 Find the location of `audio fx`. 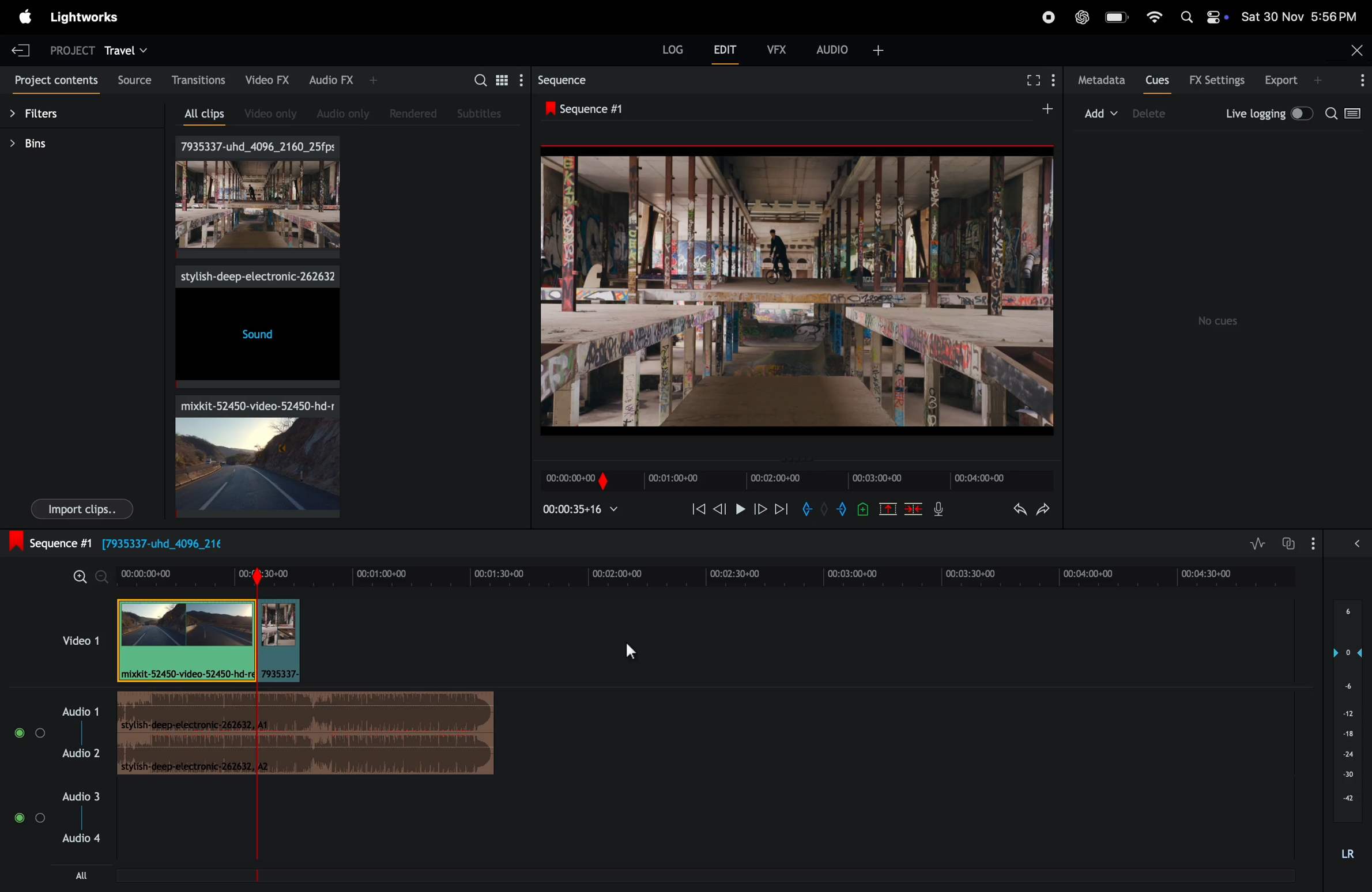

audio fx is located at coordinates (336, 80).